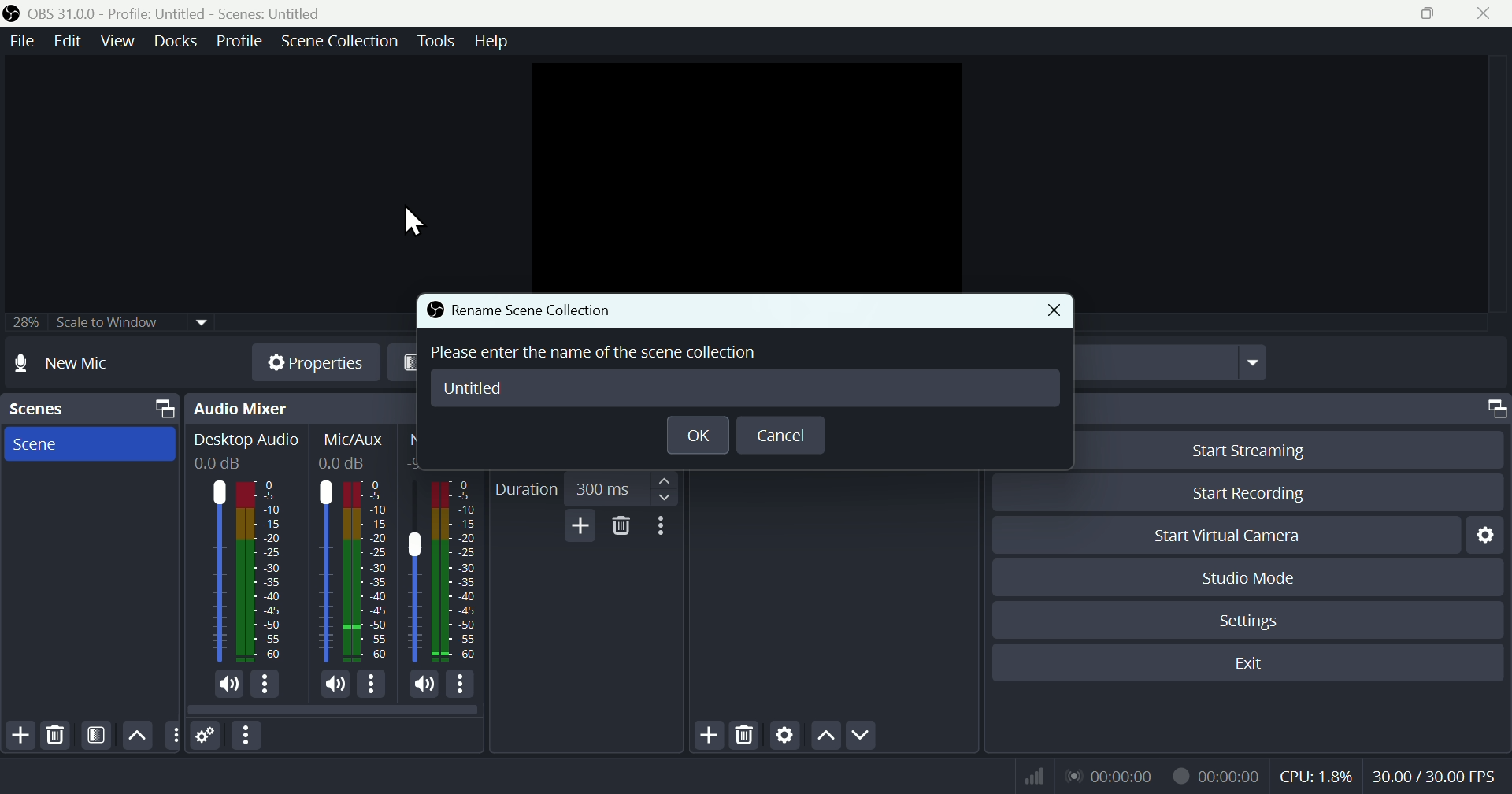 This screenshot has height=794, width=1512. Describe the element at coordinates (104, 325) in the screenshot. I see `25% scale to window` at that location.